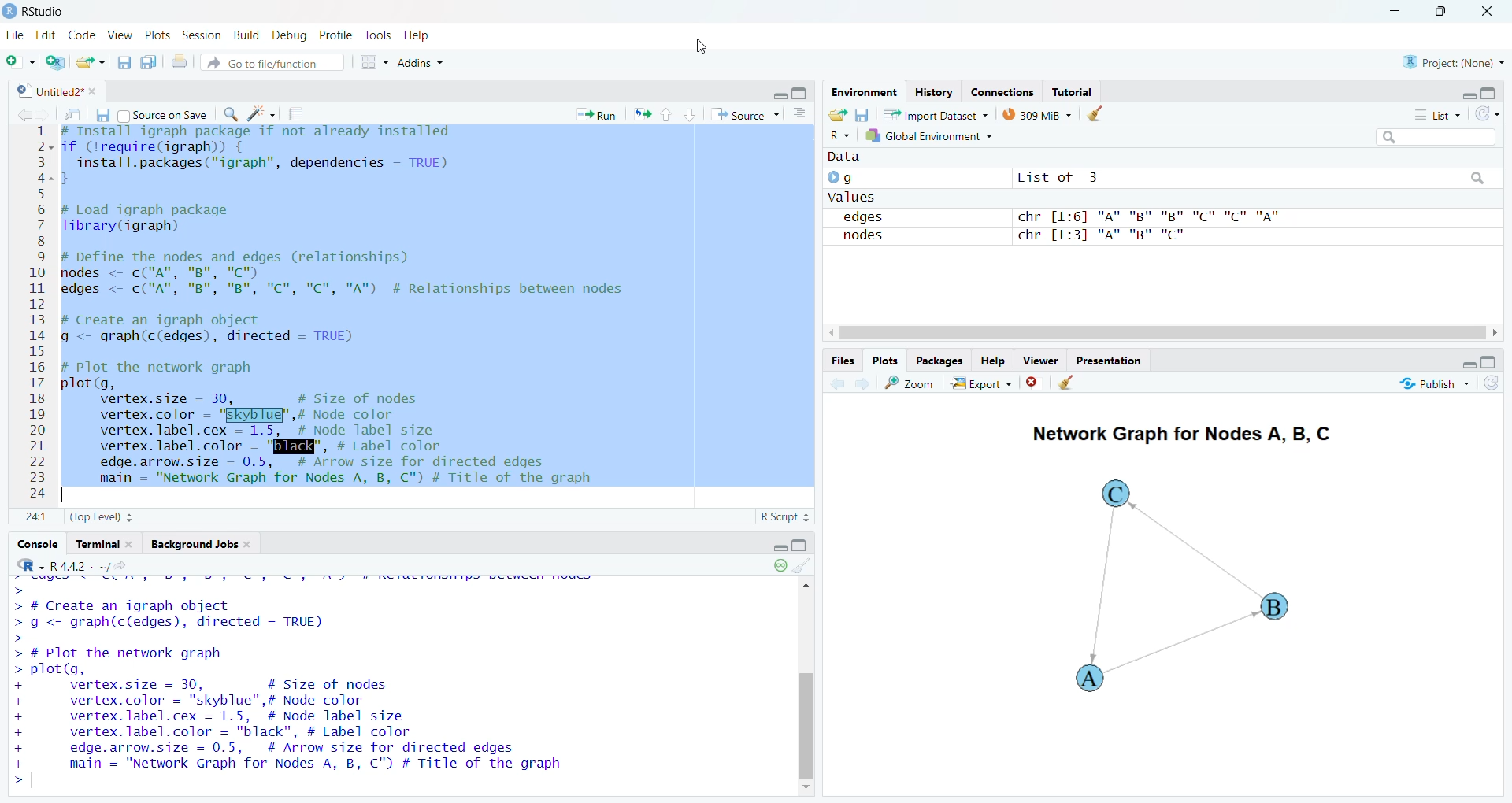  Describe the element at coordinates (933, 117) in the screenshot. I see `IMport vataset ©` at that location.